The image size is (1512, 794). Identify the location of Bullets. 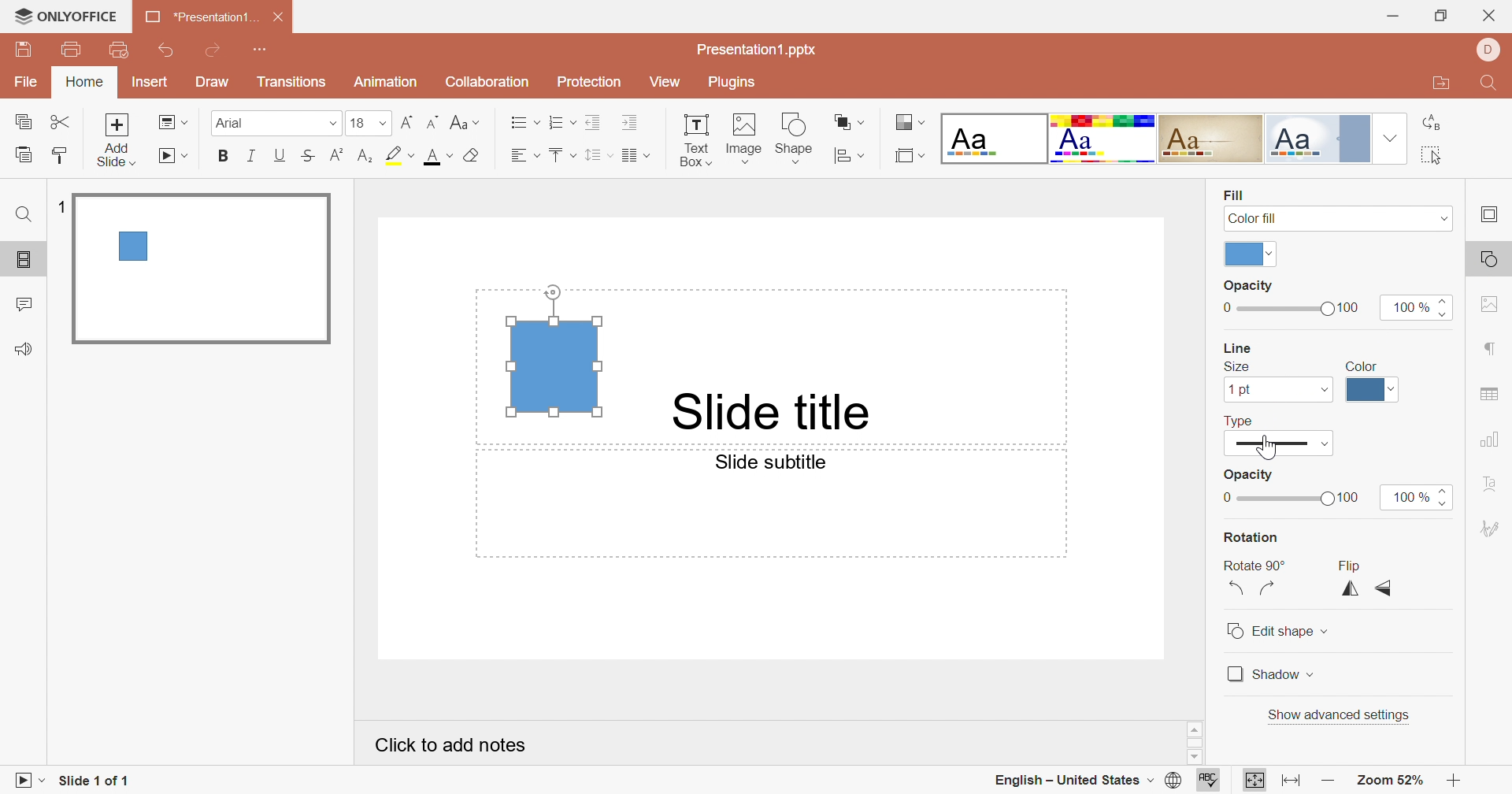
(525, 124).